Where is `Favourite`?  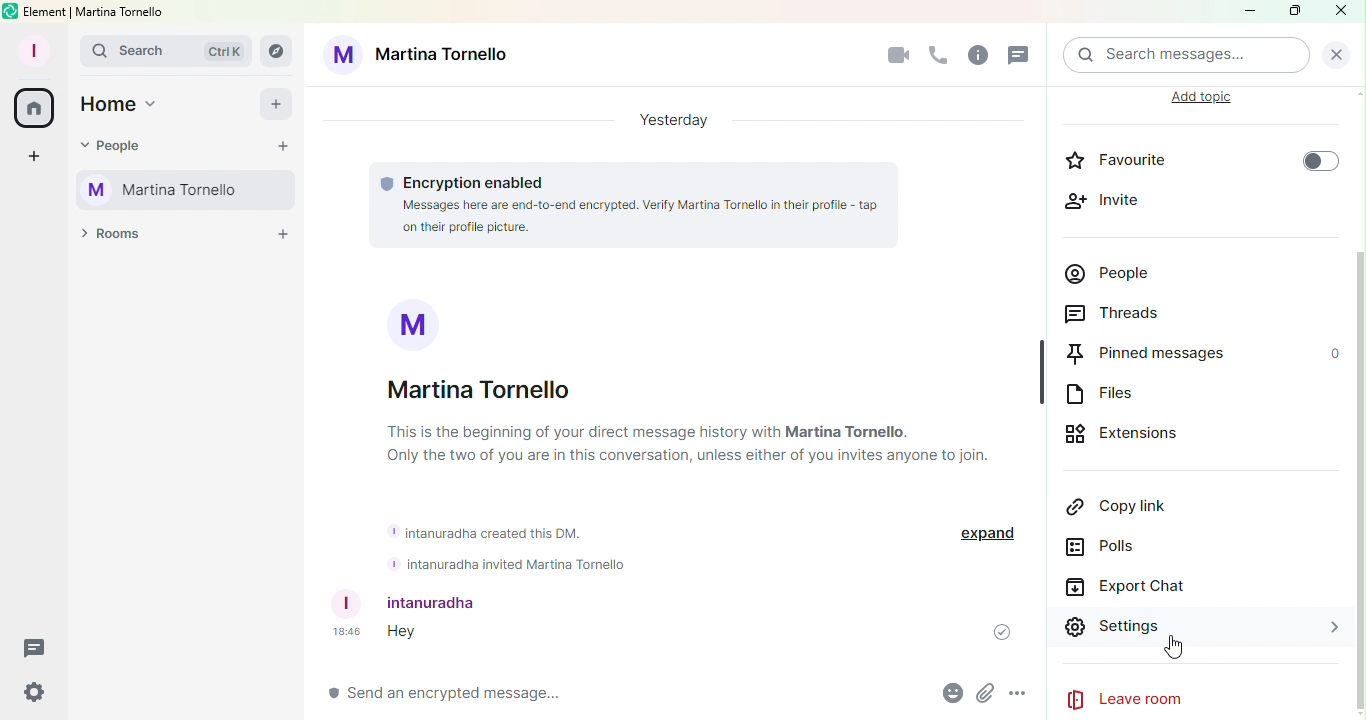 Favourite is located at coordinates (1203, 157).